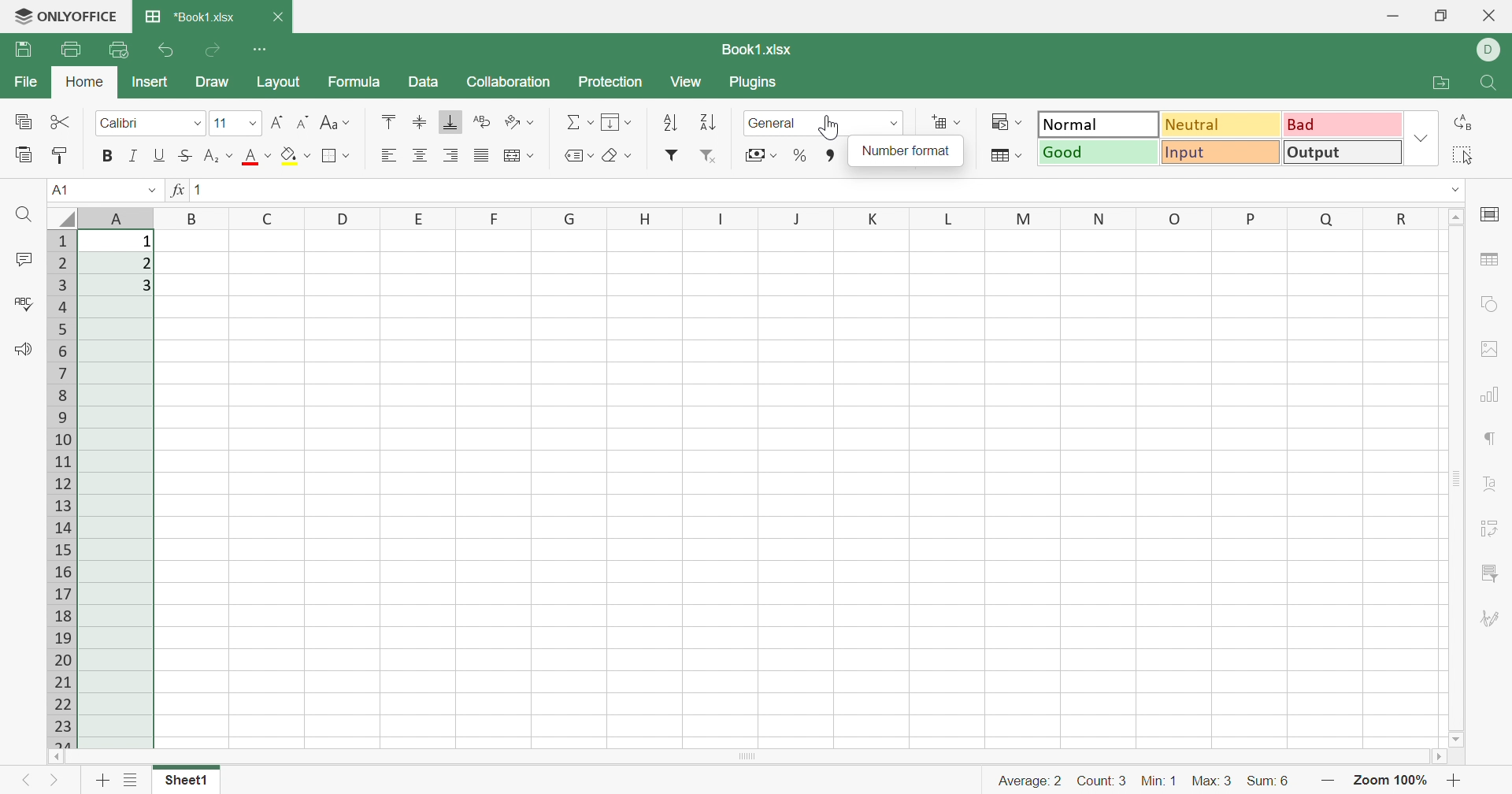 Image resolution: width=1512 pixels, height=794 pixels. I want to click on Zoom 100%, so click(1388, 782).